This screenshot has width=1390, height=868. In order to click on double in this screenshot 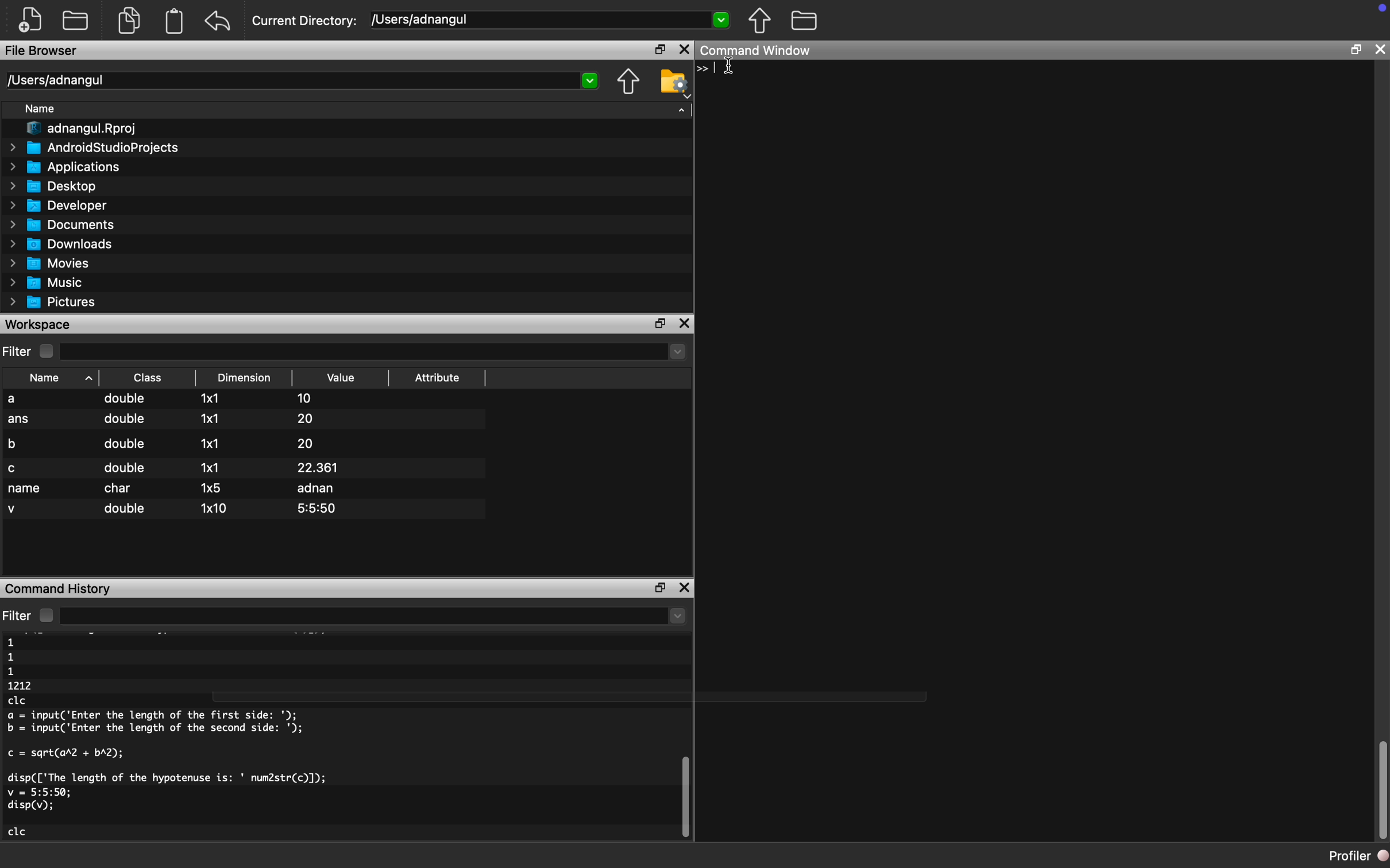, I will do `click(125, 397)`.